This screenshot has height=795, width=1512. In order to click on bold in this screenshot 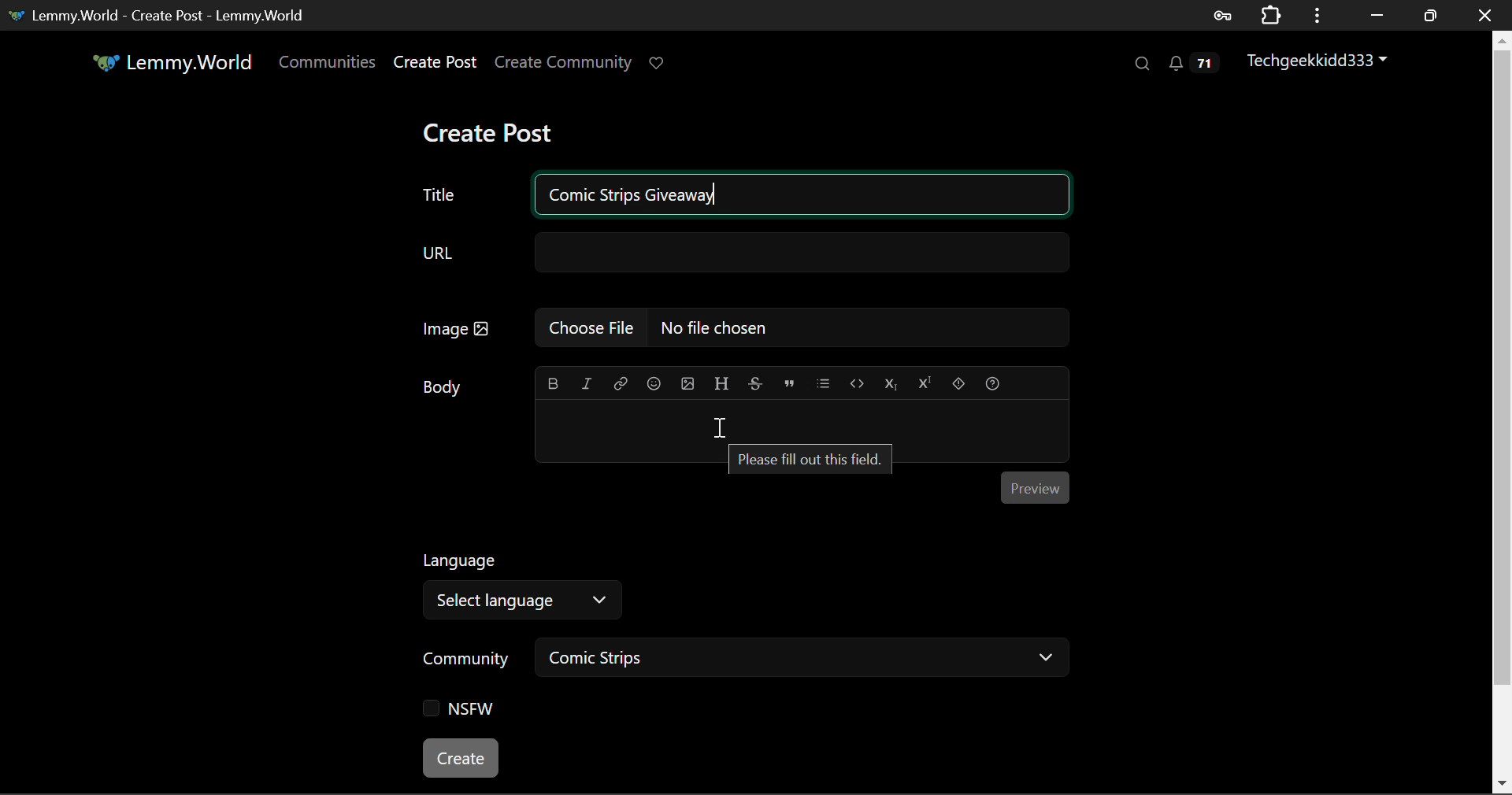, I will do `click(556, 380)`.